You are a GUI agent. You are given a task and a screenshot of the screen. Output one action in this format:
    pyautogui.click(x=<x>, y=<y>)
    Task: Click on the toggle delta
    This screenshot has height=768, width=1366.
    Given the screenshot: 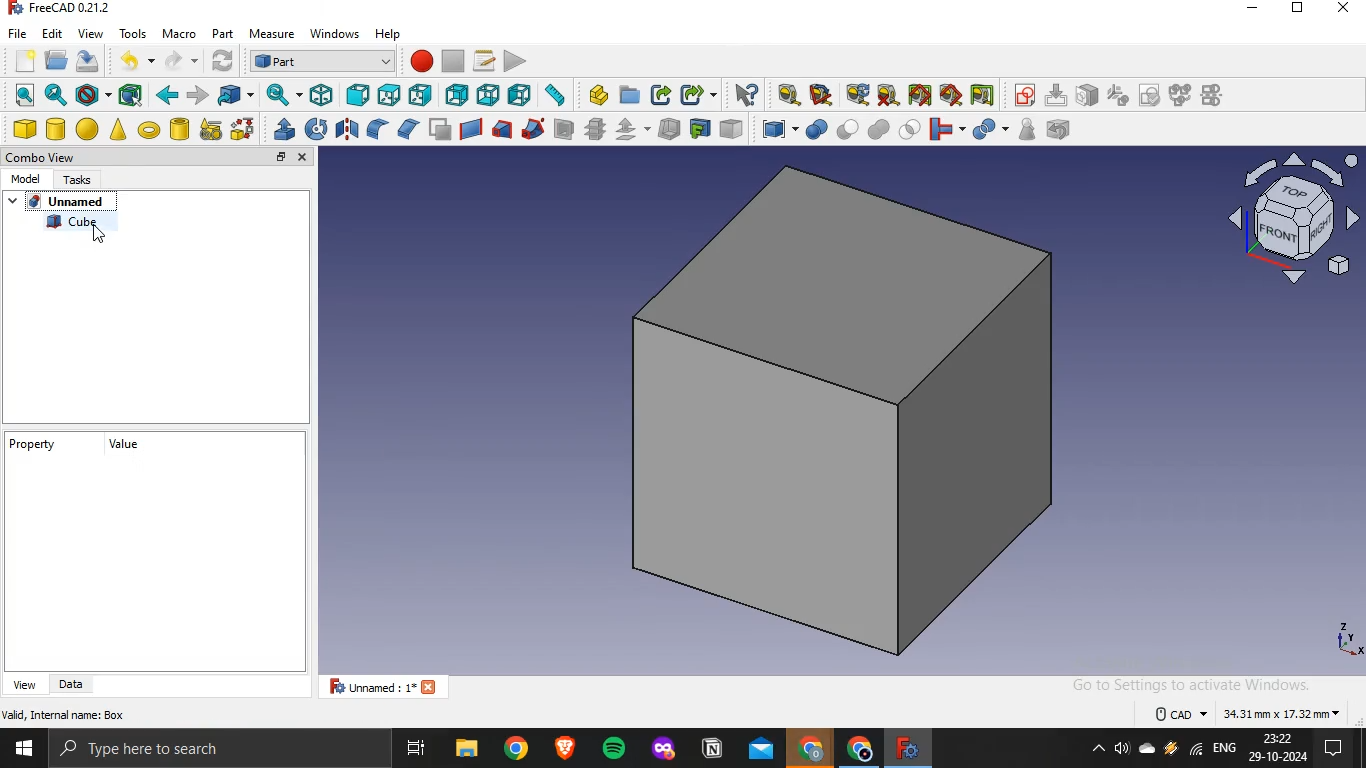 What is the action you would take?
    pyautogui.click(x=983, y=94)
    